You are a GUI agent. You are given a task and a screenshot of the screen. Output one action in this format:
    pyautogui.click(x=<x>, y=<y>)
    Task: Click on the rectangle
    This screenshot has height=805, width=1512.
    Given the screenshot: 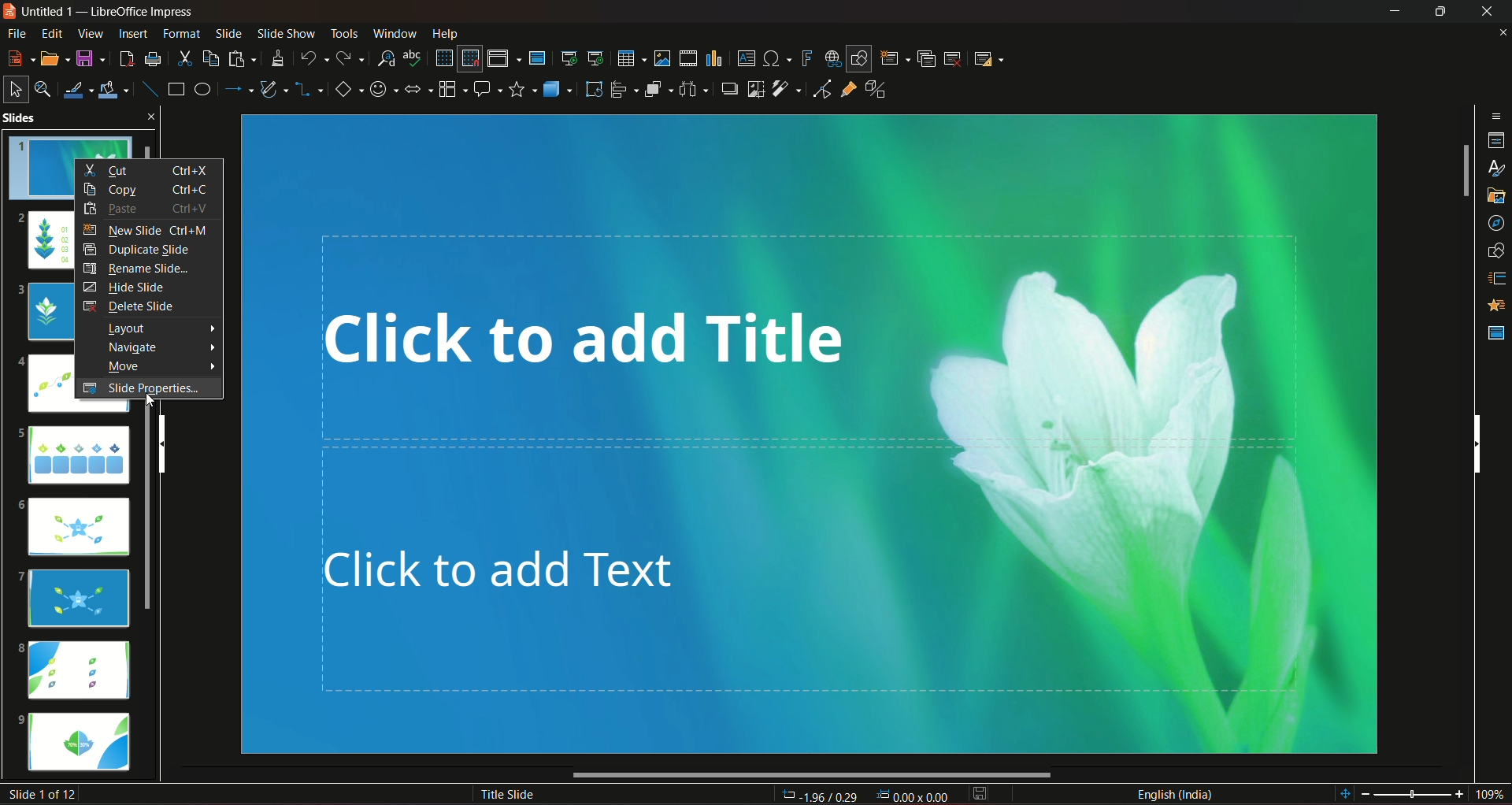 What is the action you would take?
    pyautogui.click(x=174, y=90)
    